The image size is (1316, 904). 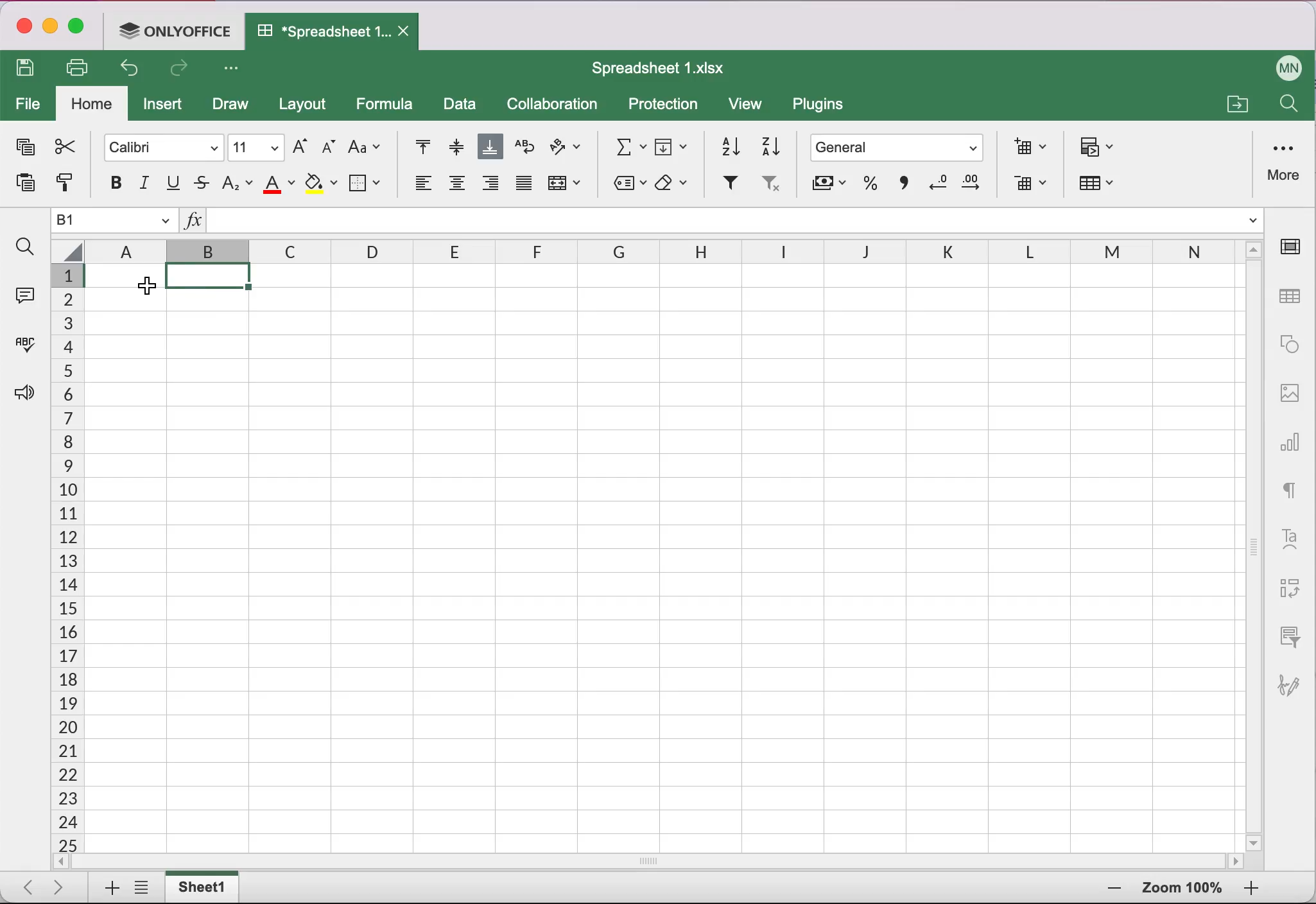 What do you see at coordinates (660, 555) in the screenshot?
I see `cells` at bounding box center [660, 555].